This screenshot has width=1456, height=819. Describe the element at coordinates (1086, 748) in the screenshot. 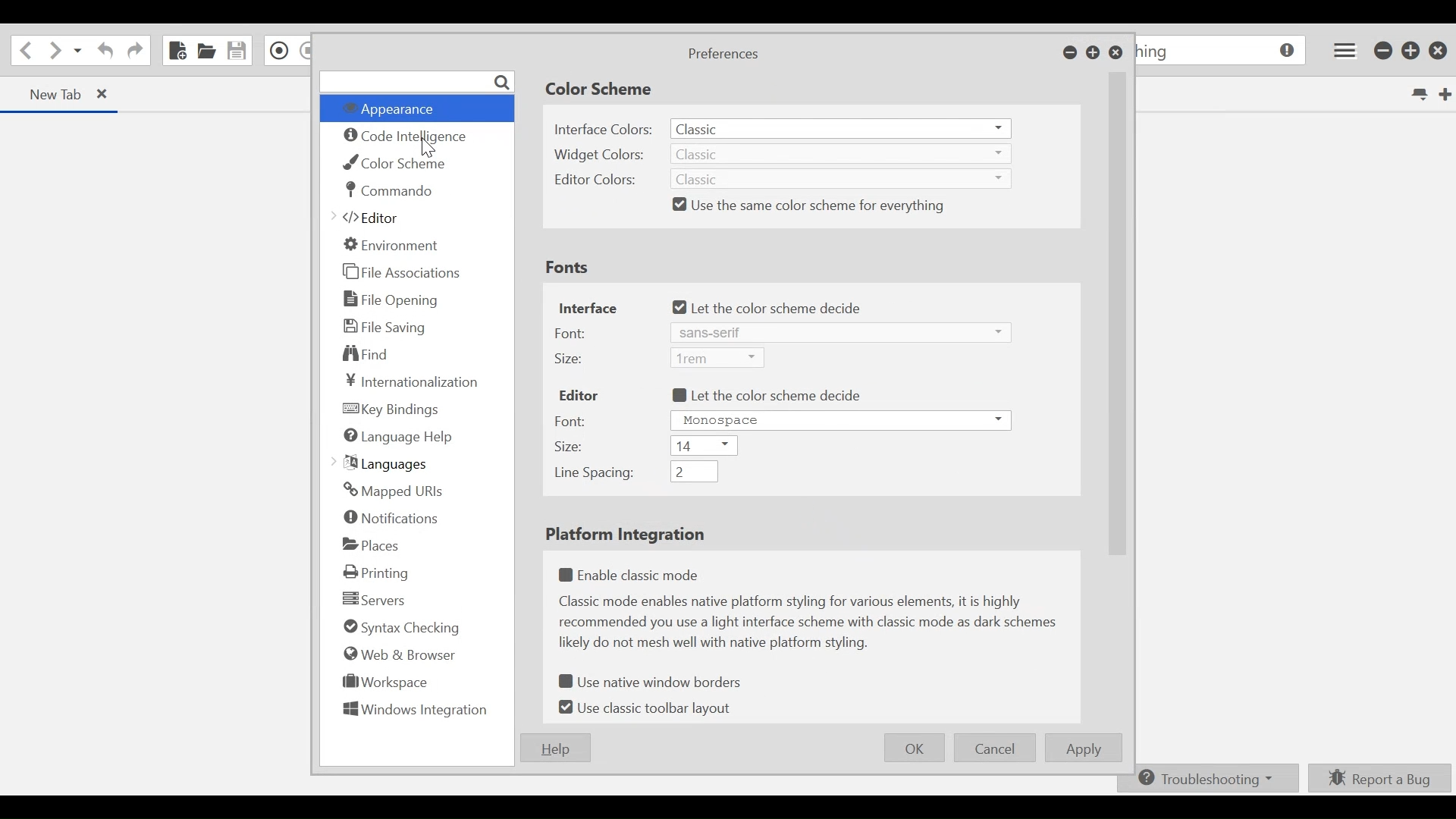

I see `Apply` at that location.